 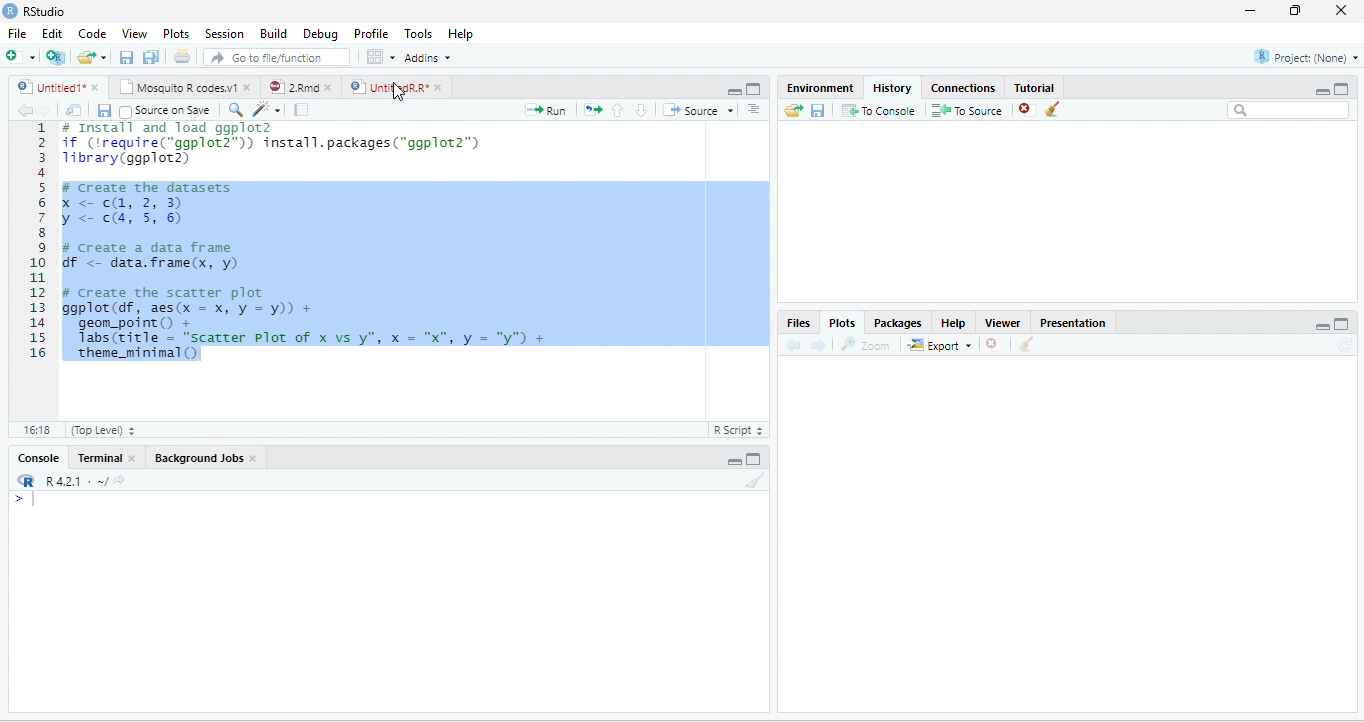 I want to click on Remove the selected history entries, so click(x=1027, y=110).